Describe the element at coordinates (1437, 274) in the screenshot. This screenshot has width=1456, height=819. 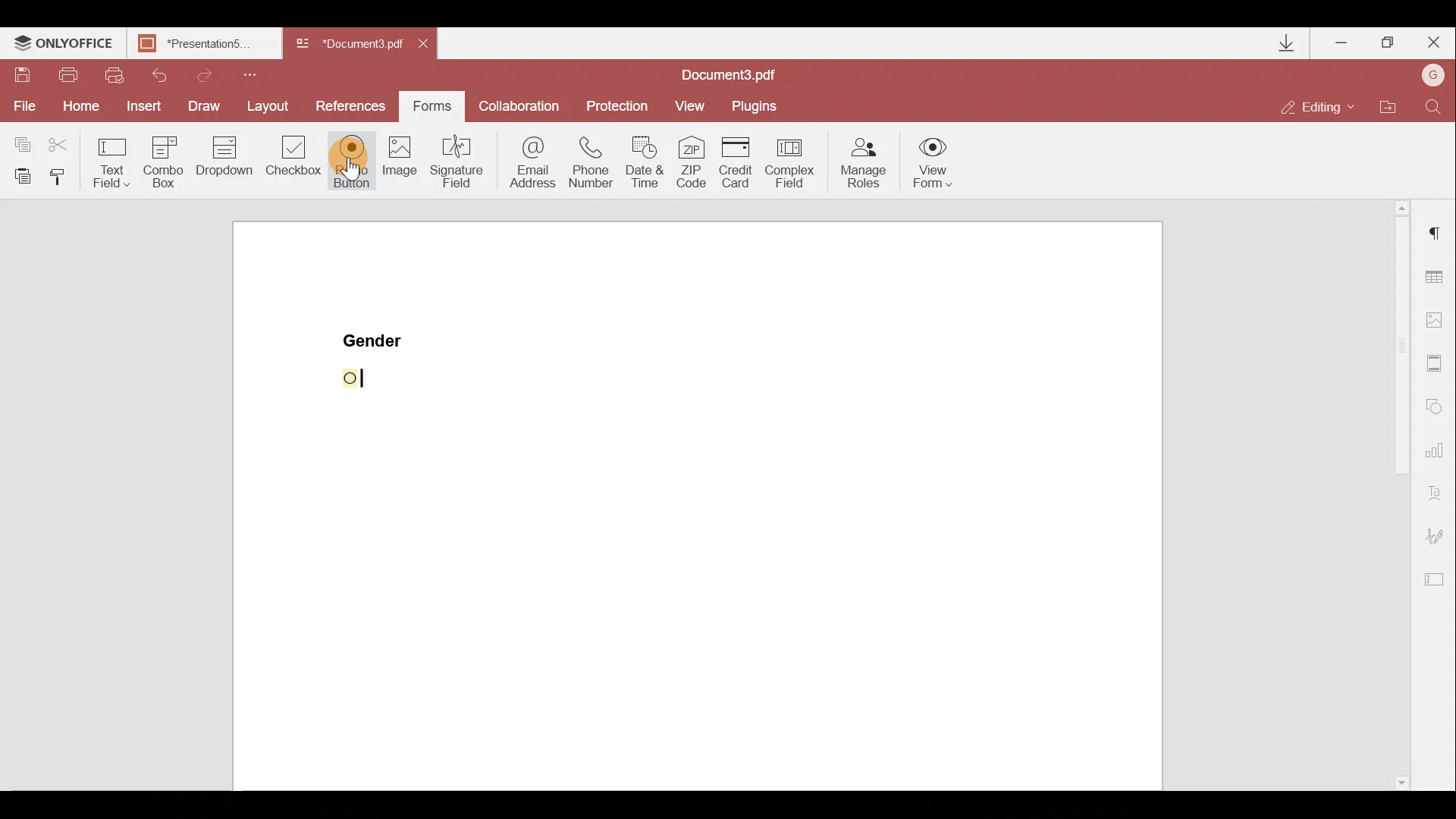
I see `Table settings` at that location.